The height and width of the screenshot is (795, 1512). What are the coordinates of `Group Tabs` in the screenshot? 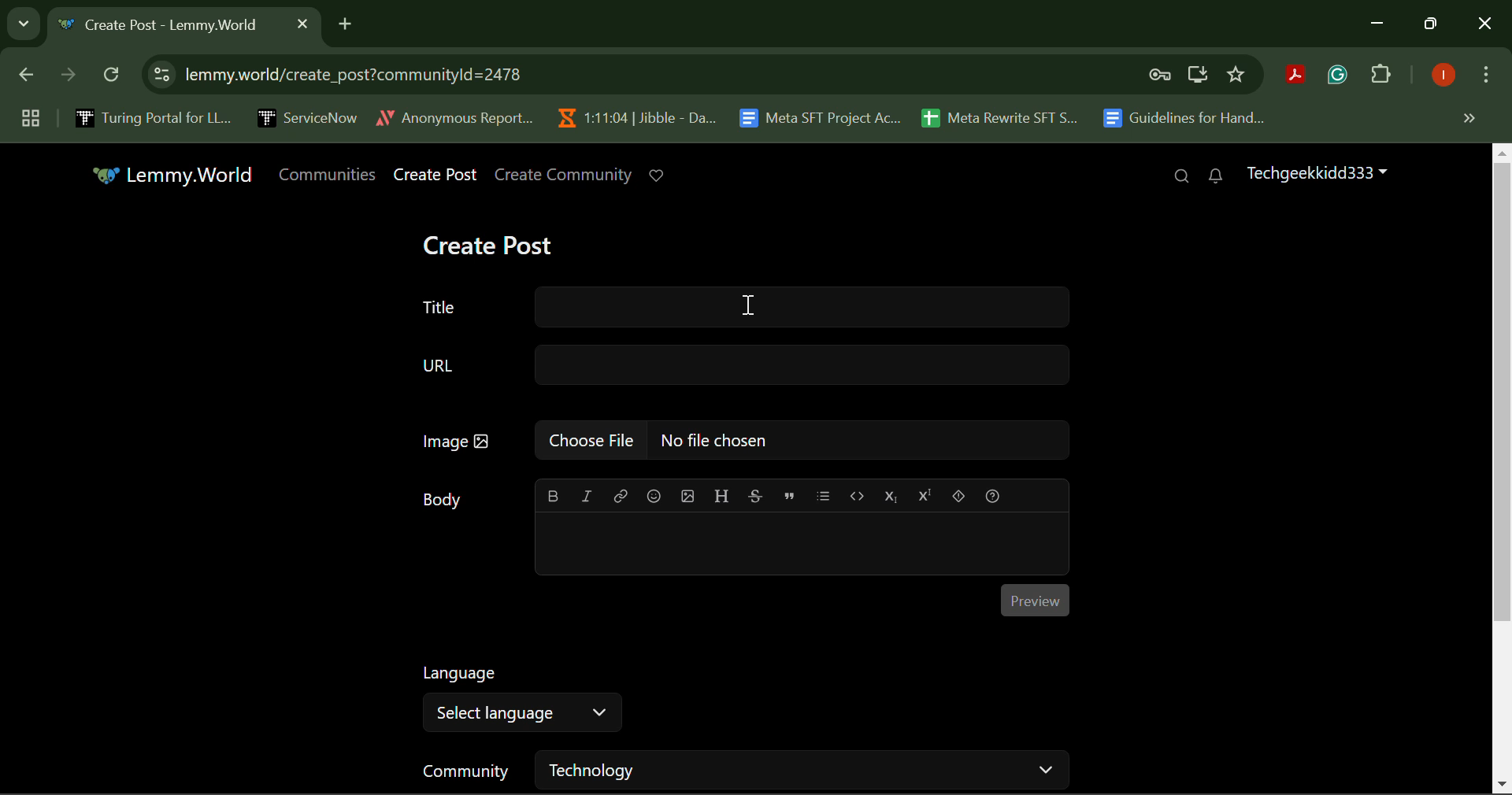 It's located at (30, 117).